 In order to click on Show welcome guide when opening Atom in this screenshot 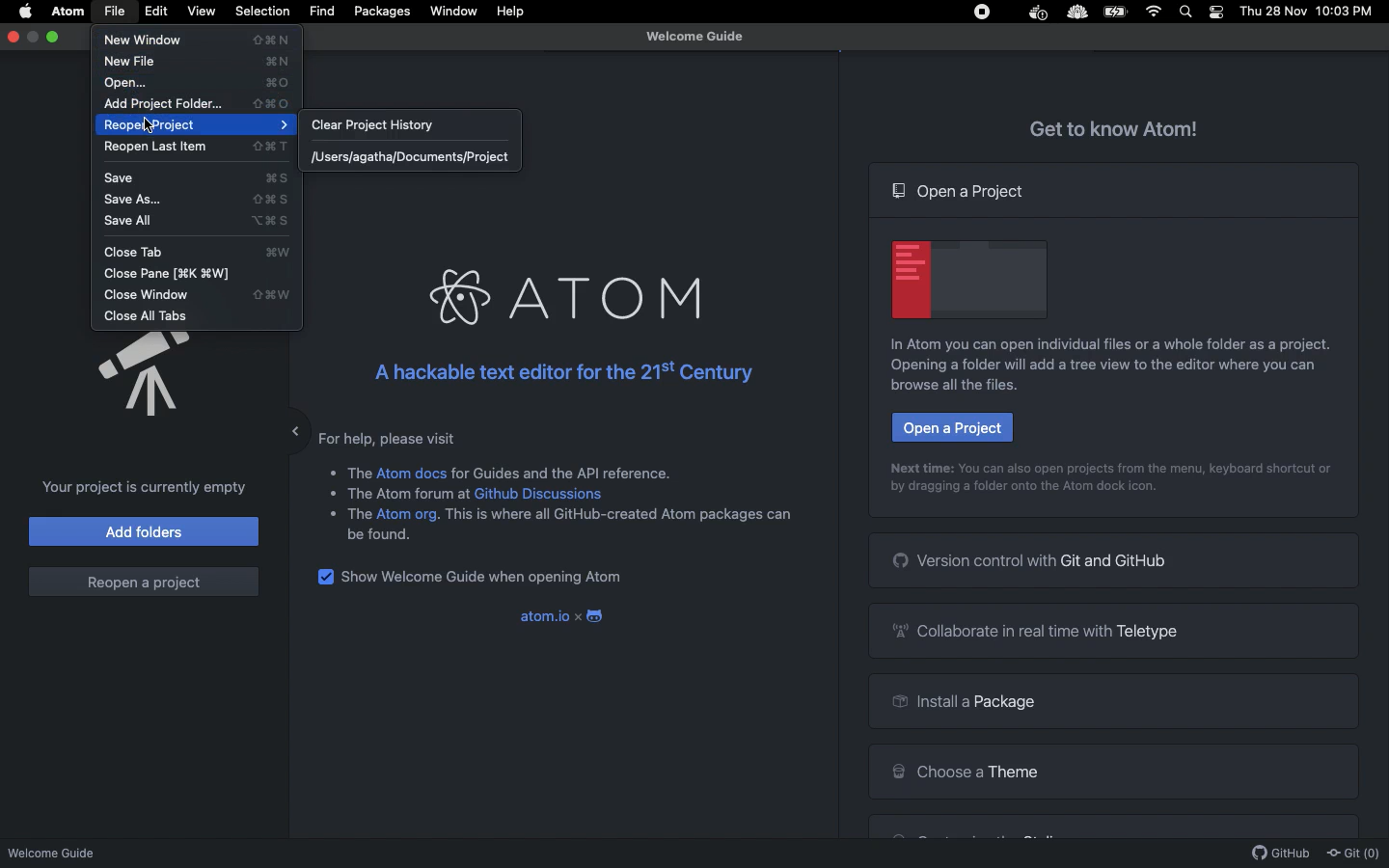, I will do `click(486, 579)`.